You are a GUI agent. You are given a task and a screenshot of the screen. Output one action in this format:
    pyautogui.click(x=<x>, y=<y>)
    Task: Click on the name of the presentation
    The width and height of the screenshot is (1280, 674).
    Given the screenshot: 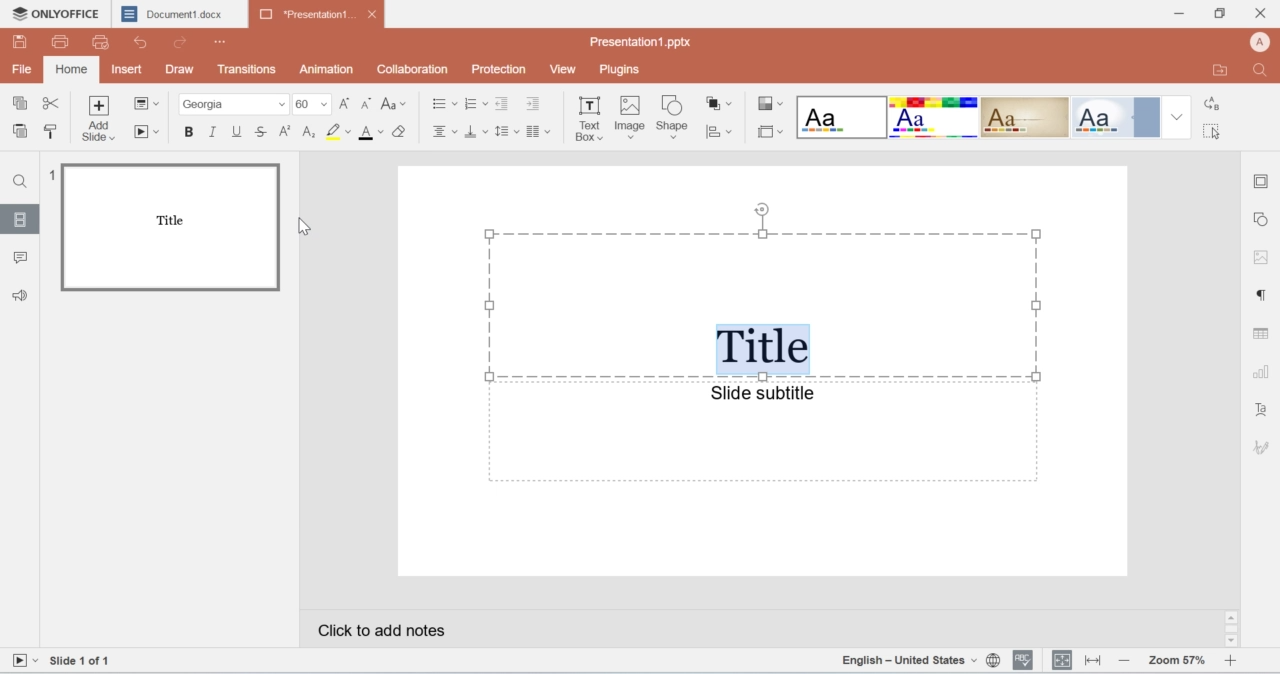 What is the action you would take?
    pyautogui.click(x=638, y=43)
    